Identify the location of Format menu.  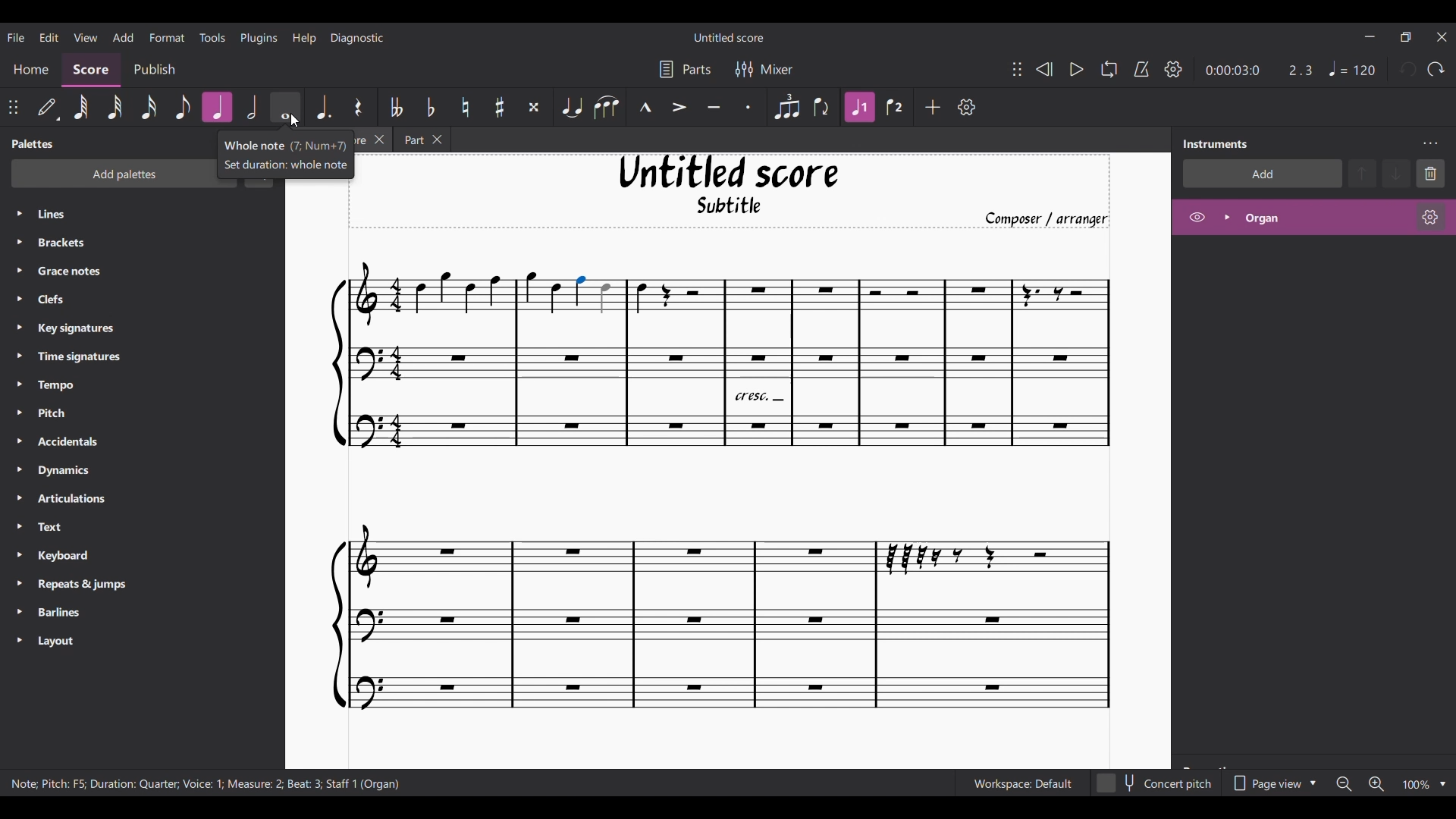
(168, 36).